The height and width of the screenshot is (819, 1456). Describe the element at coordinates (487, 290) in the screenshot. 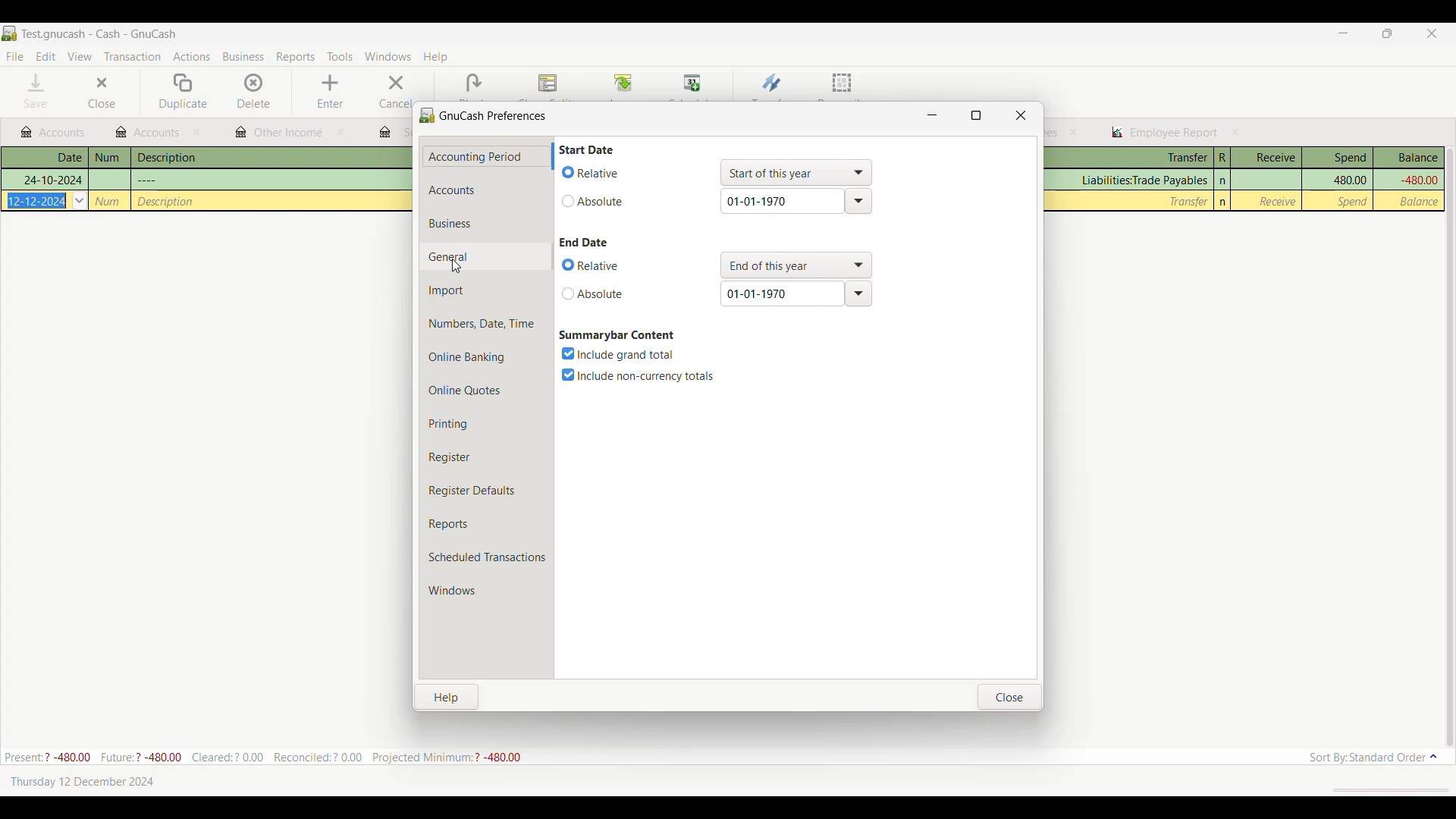

I see `Import` at that location.